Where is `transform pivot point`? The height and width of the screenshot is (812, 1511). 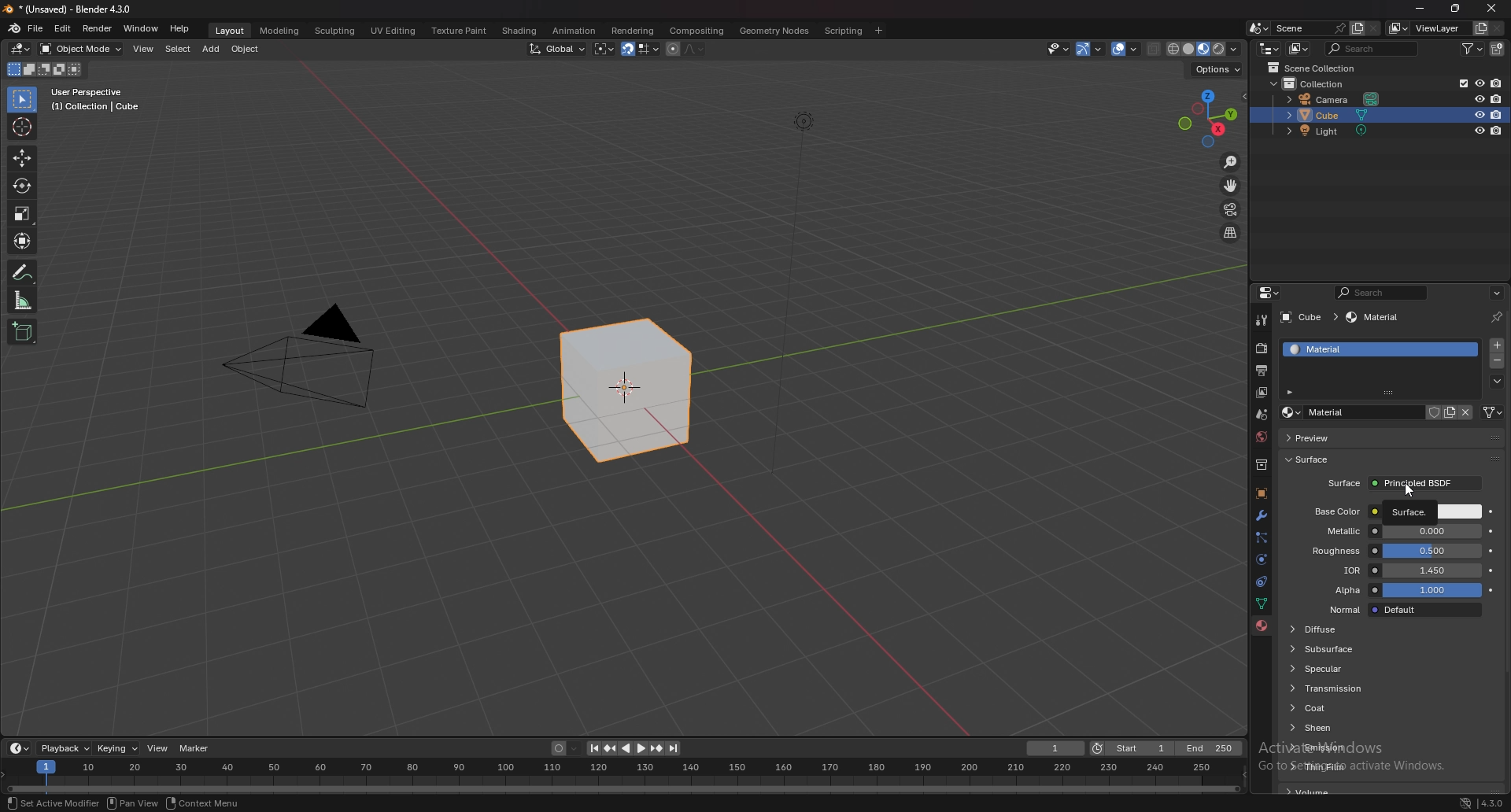 transform pivot point is located at coordinates (604, 49).